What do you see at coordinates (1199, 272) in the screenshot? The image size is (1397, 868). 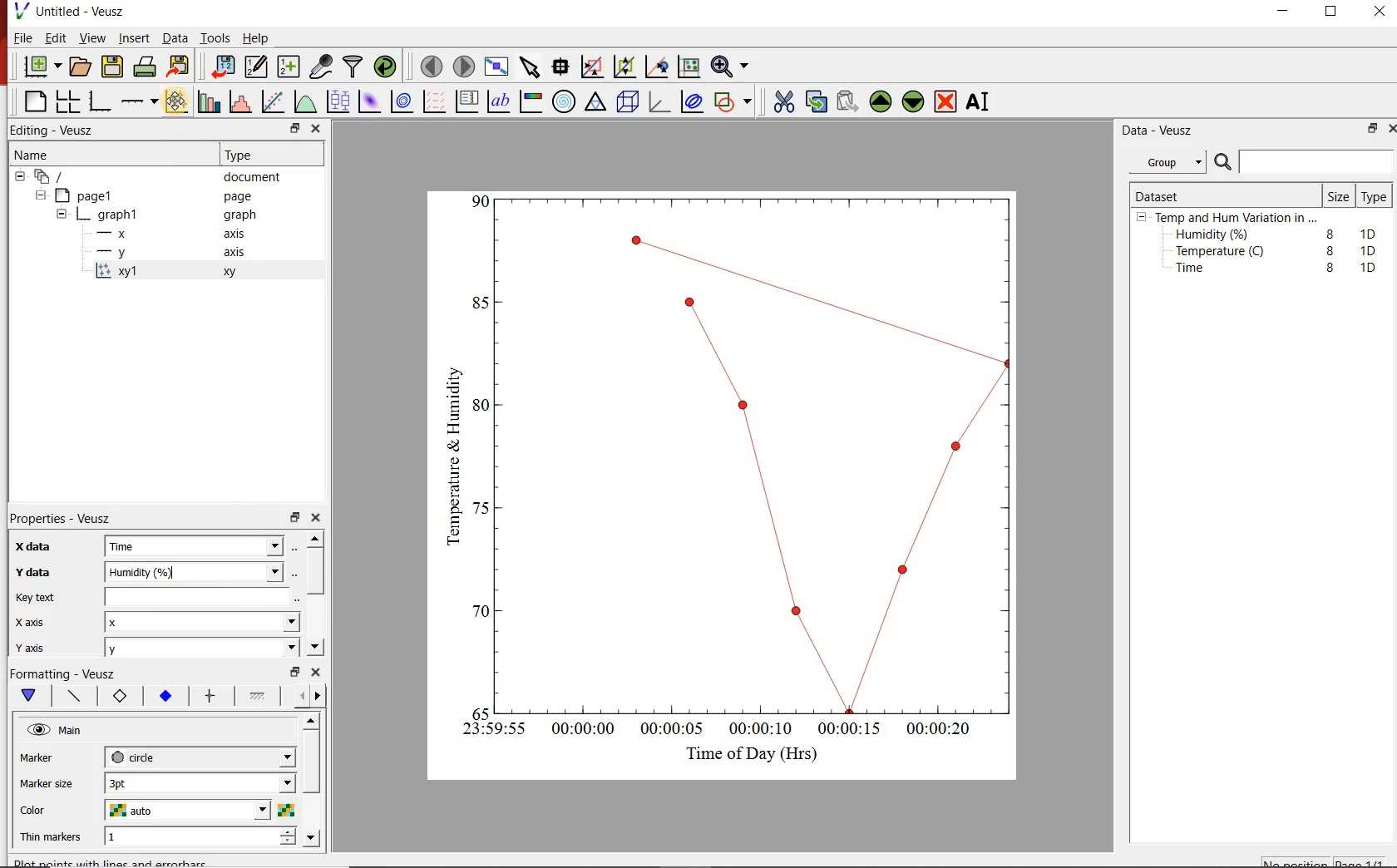 I see `Time` at bounding box center [1199, 272].